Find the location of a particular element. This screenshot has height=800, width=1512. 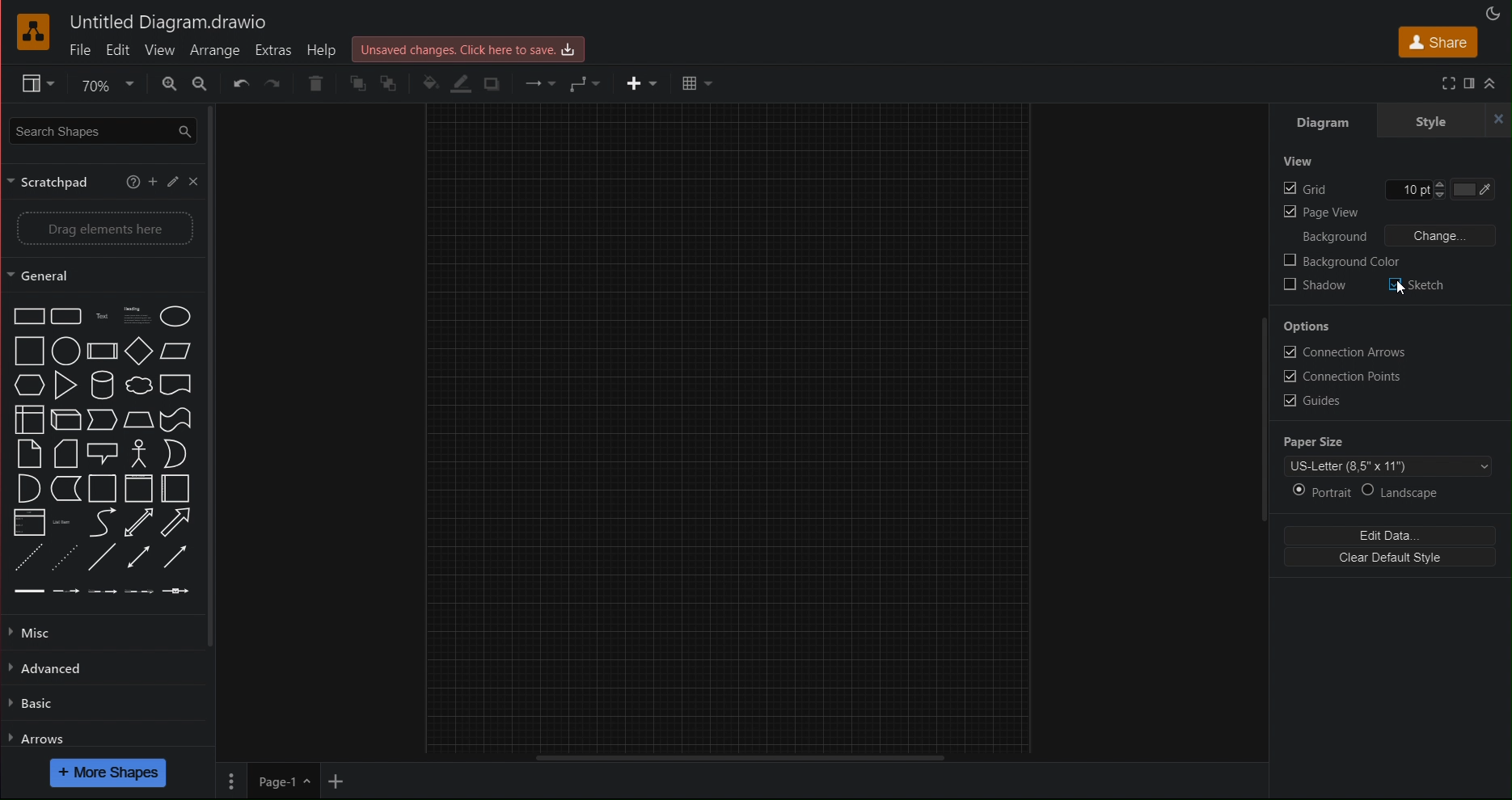

directional connector is located at coordinates (174, 557).